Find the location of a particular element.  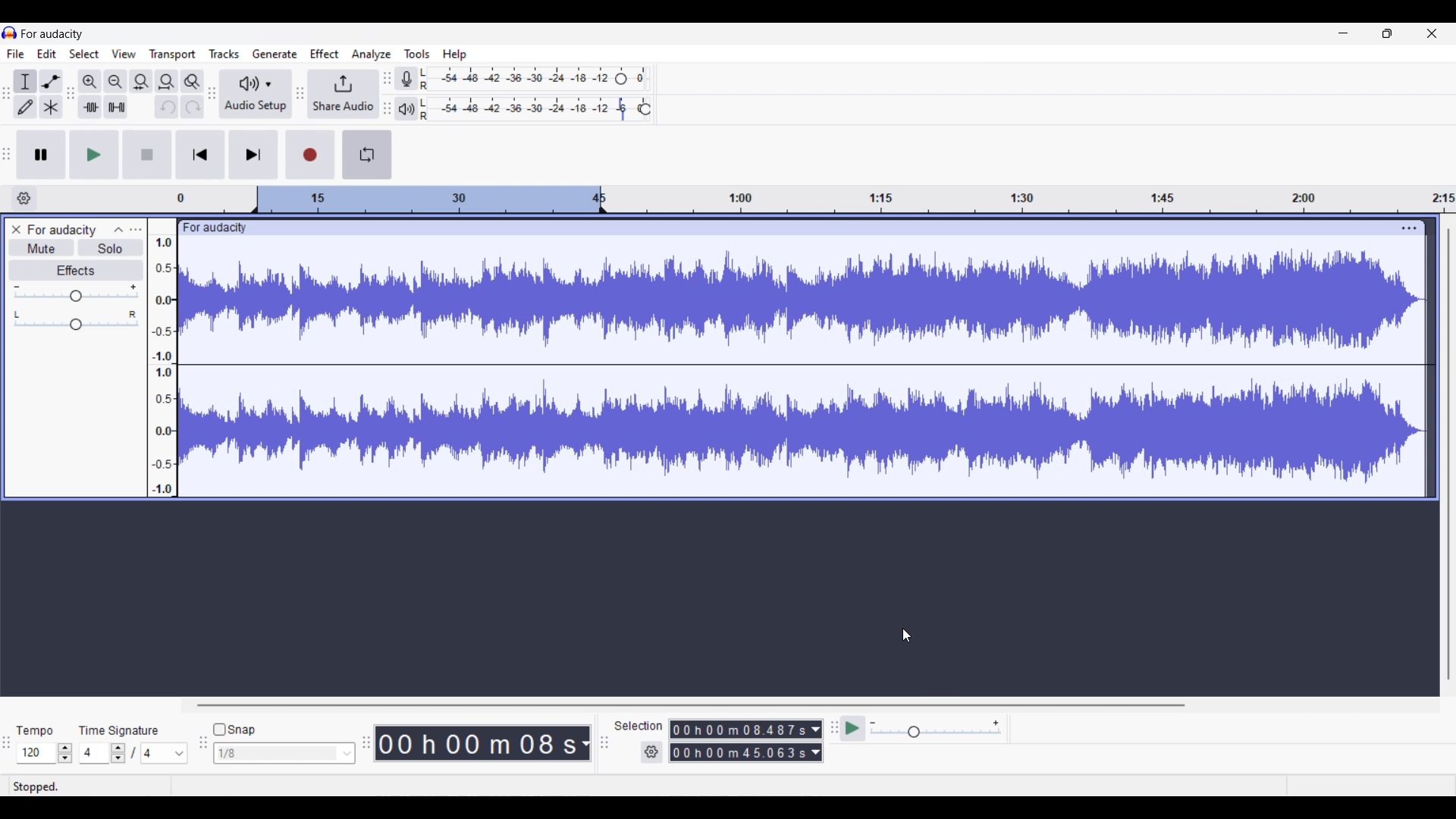

Help menu is located at coordinates (455, 55).